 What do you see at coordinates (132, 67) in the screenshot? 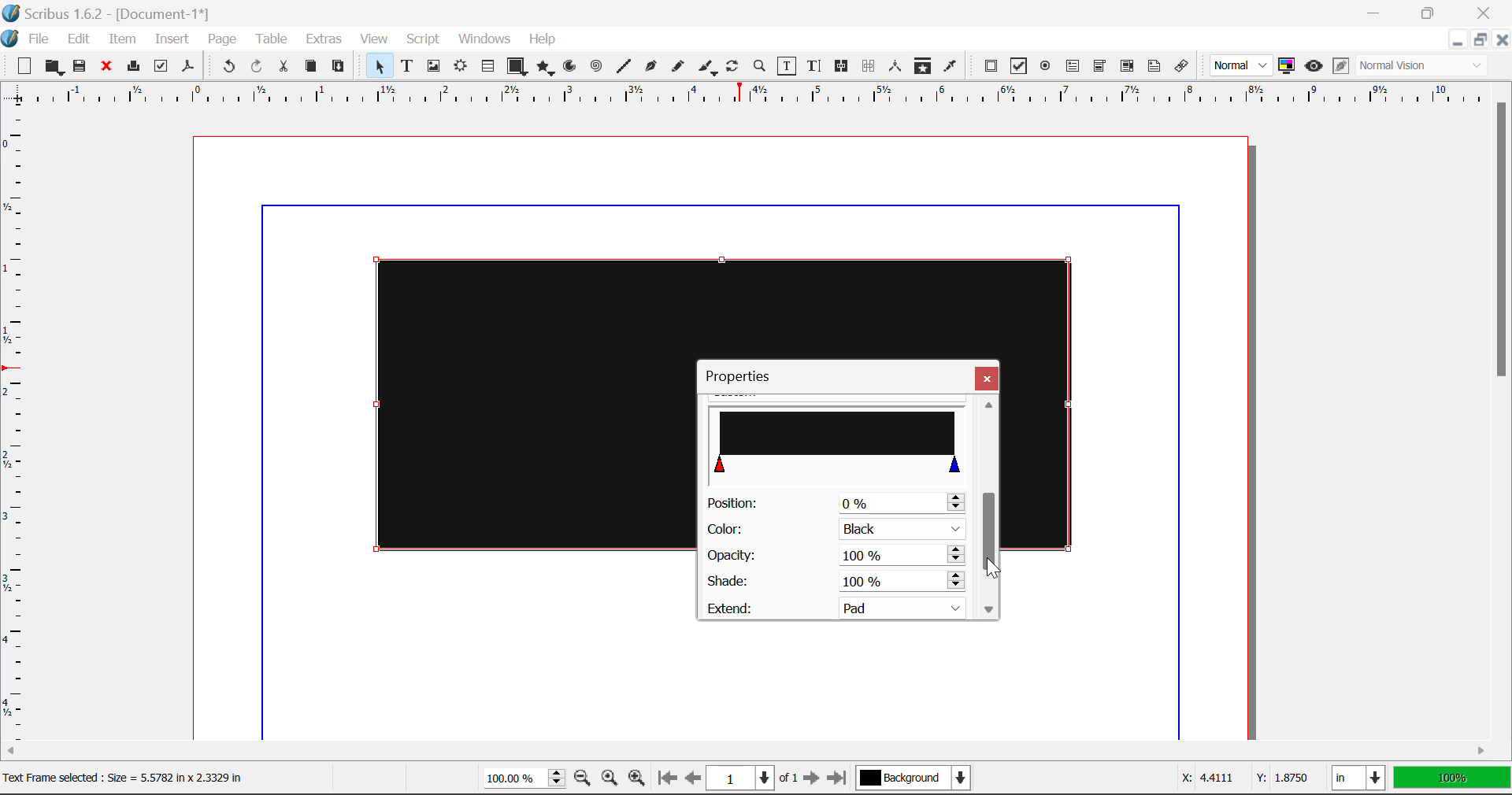
I see `Print` at bounding box center [132, 67].